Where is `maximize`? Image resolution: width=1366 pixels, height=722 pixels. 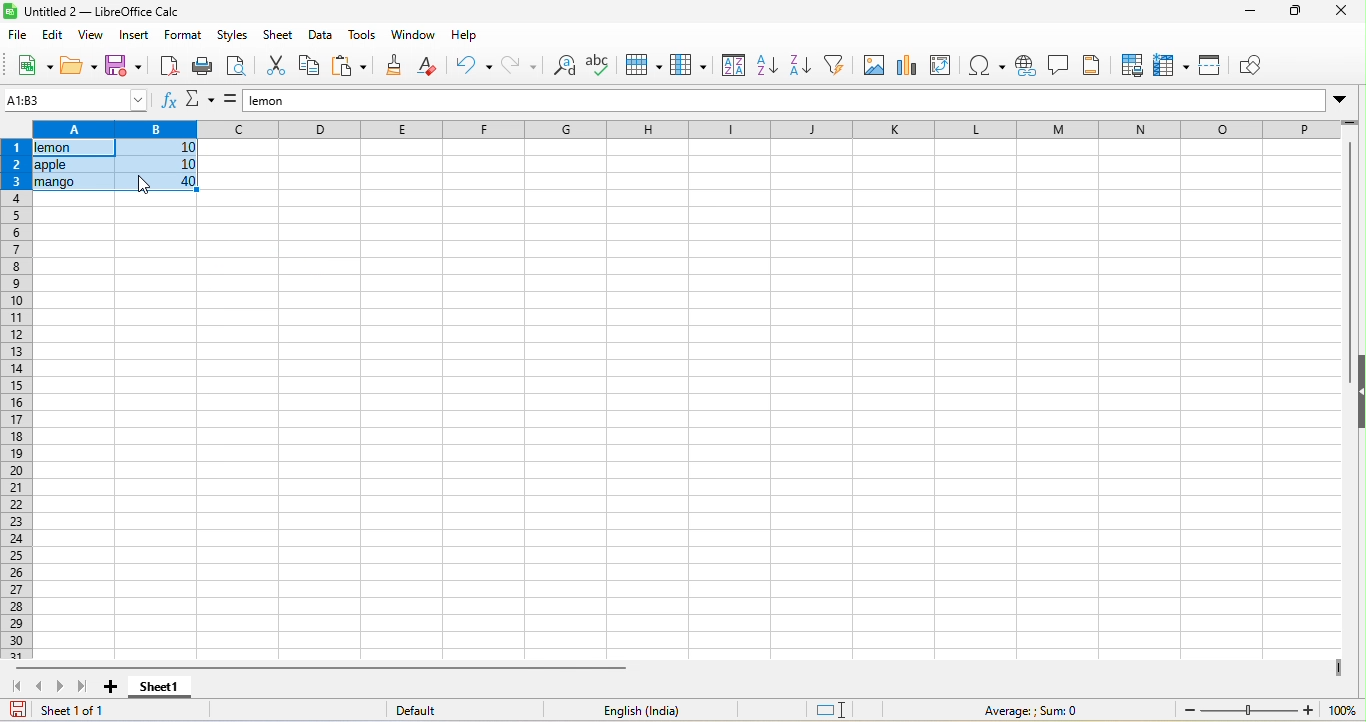
maximize is located at coordinates (1292, 12).